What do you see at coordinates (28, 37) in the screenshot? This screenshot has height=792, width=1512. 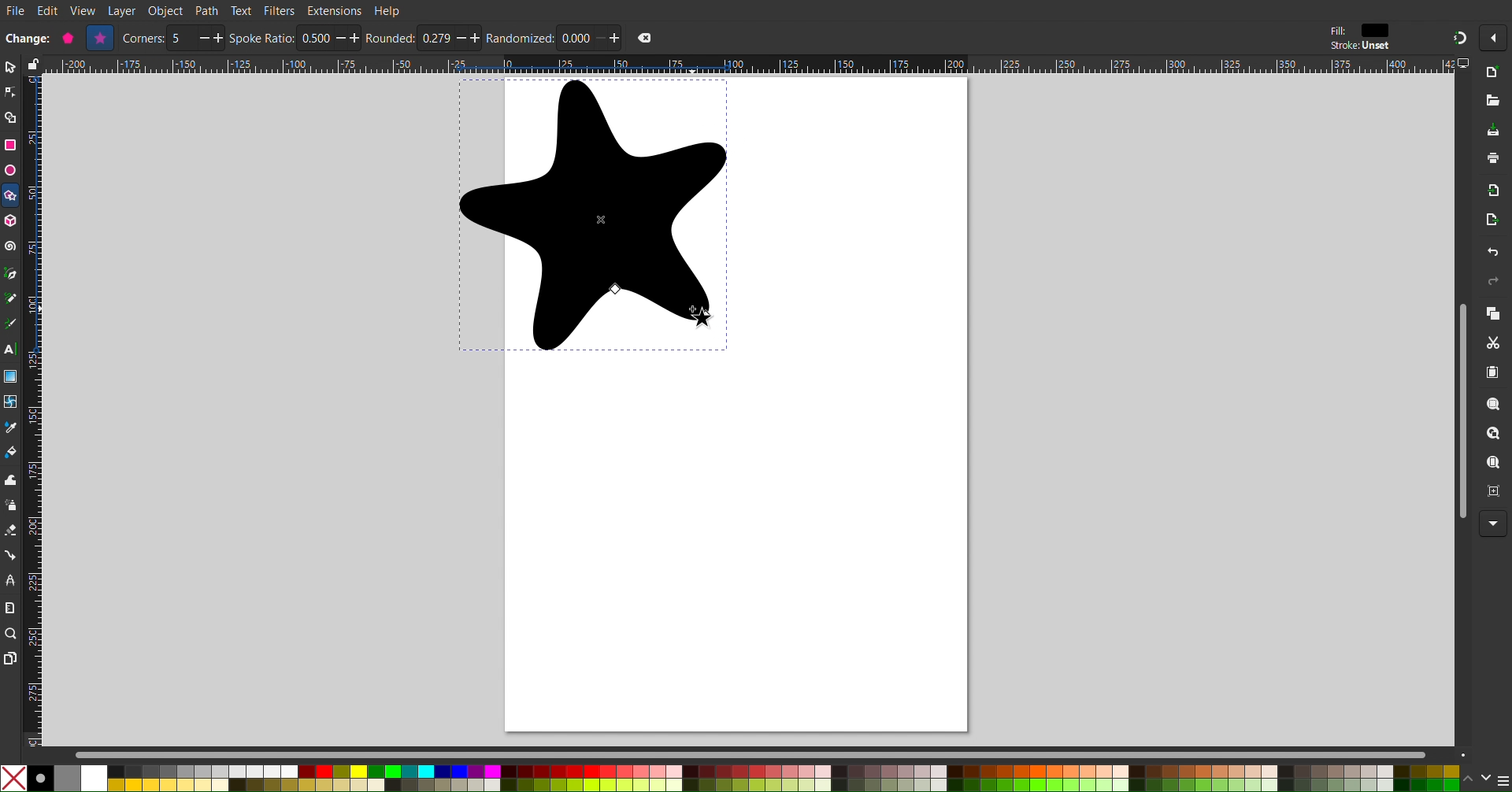 I see `New` at bounding box center [28, 37].